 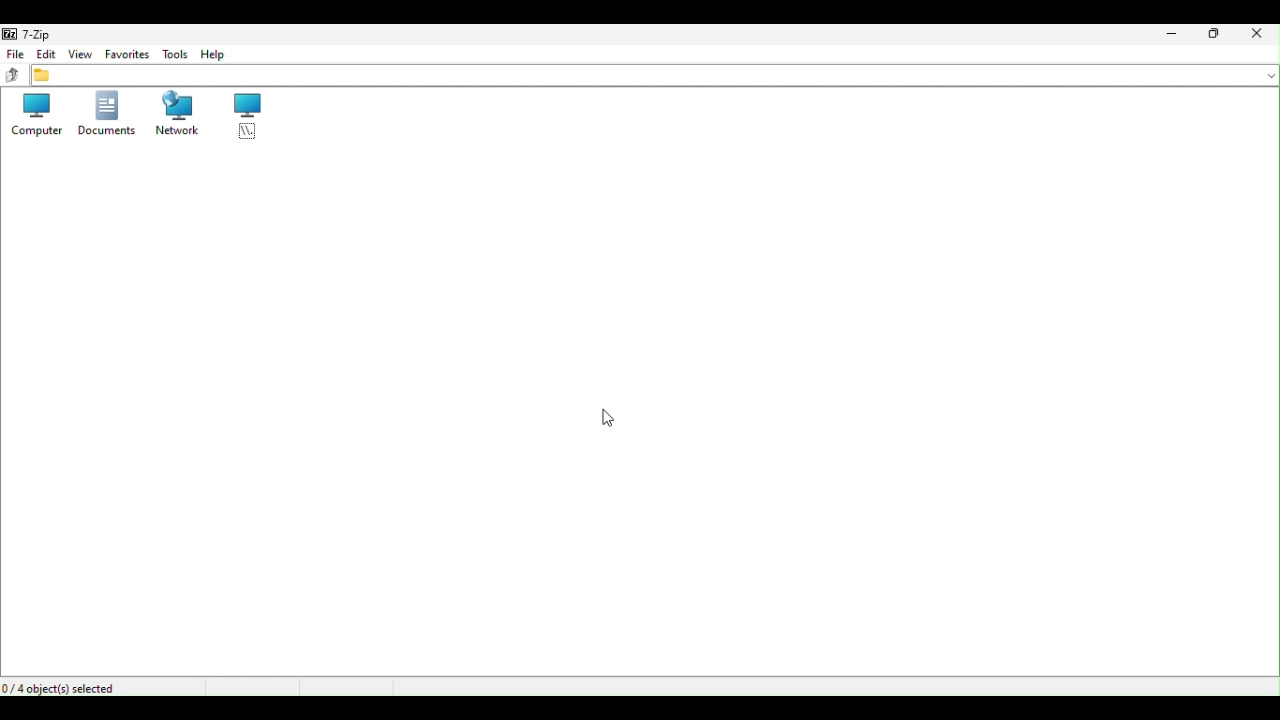 What do you see at coordinates (1215, 34) in the screenshot?
I see `Restore` at bounding box center [1215, 34].